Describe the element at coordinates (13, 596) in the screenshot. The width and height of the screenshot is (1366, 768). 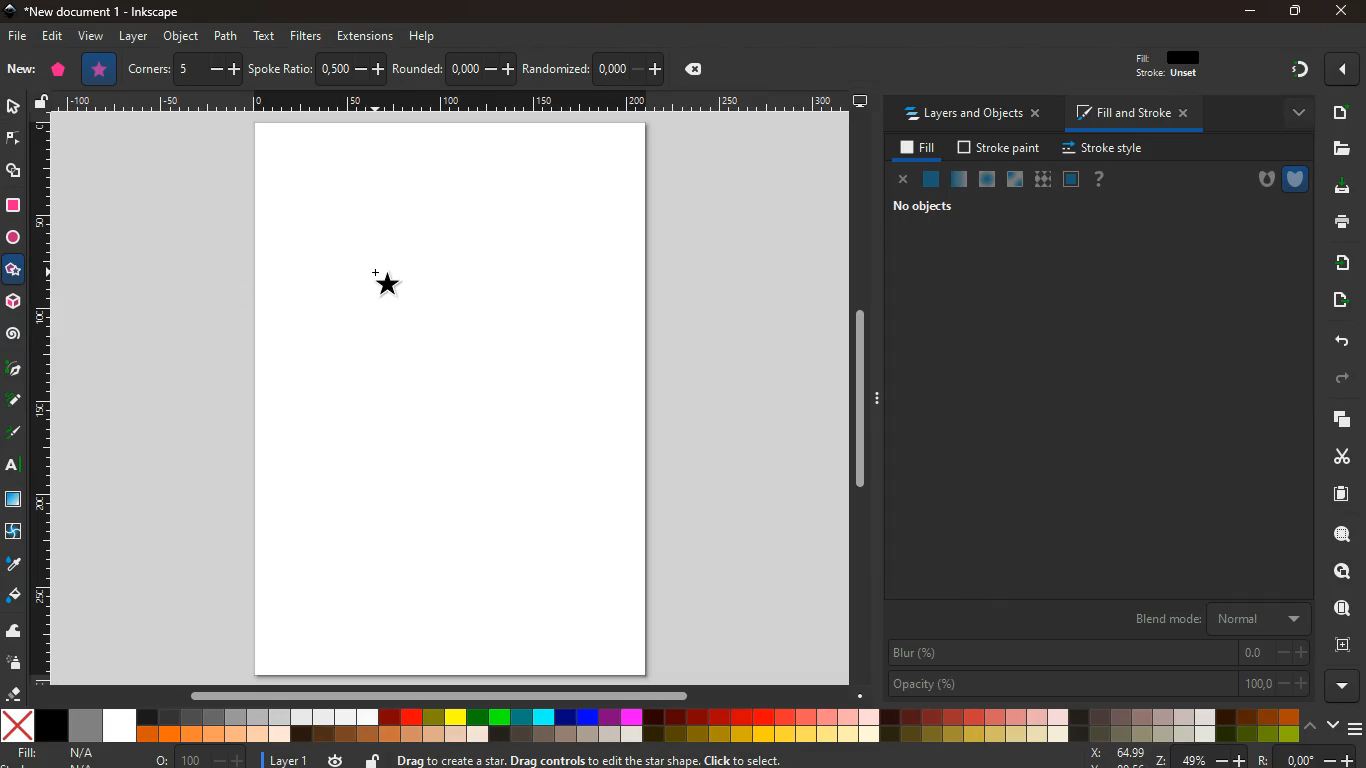
I see `bucket` at that location.